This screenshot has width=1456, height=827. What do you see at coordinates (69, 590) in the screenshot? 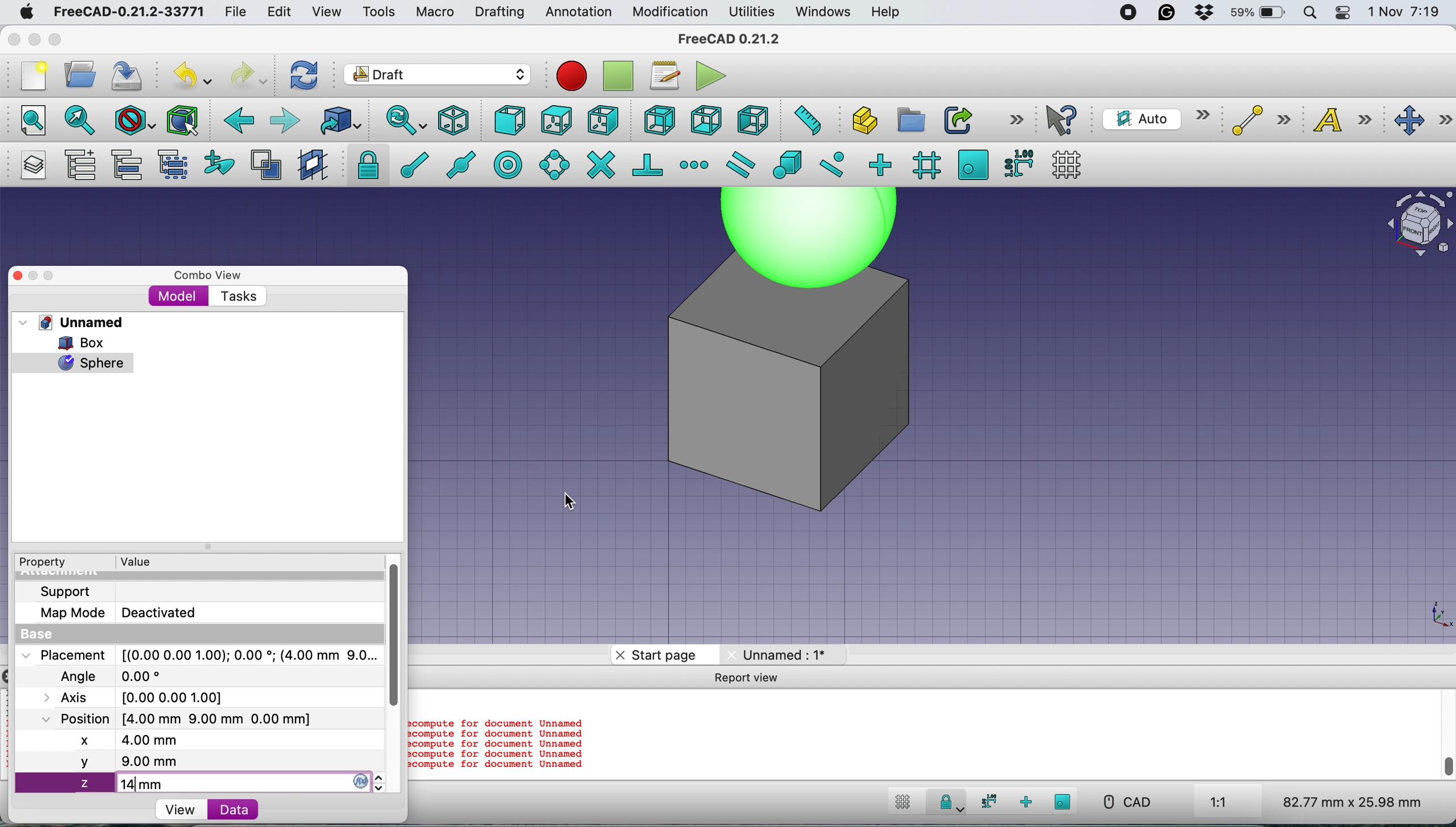
I see `support` at bounding box center [69, 590].